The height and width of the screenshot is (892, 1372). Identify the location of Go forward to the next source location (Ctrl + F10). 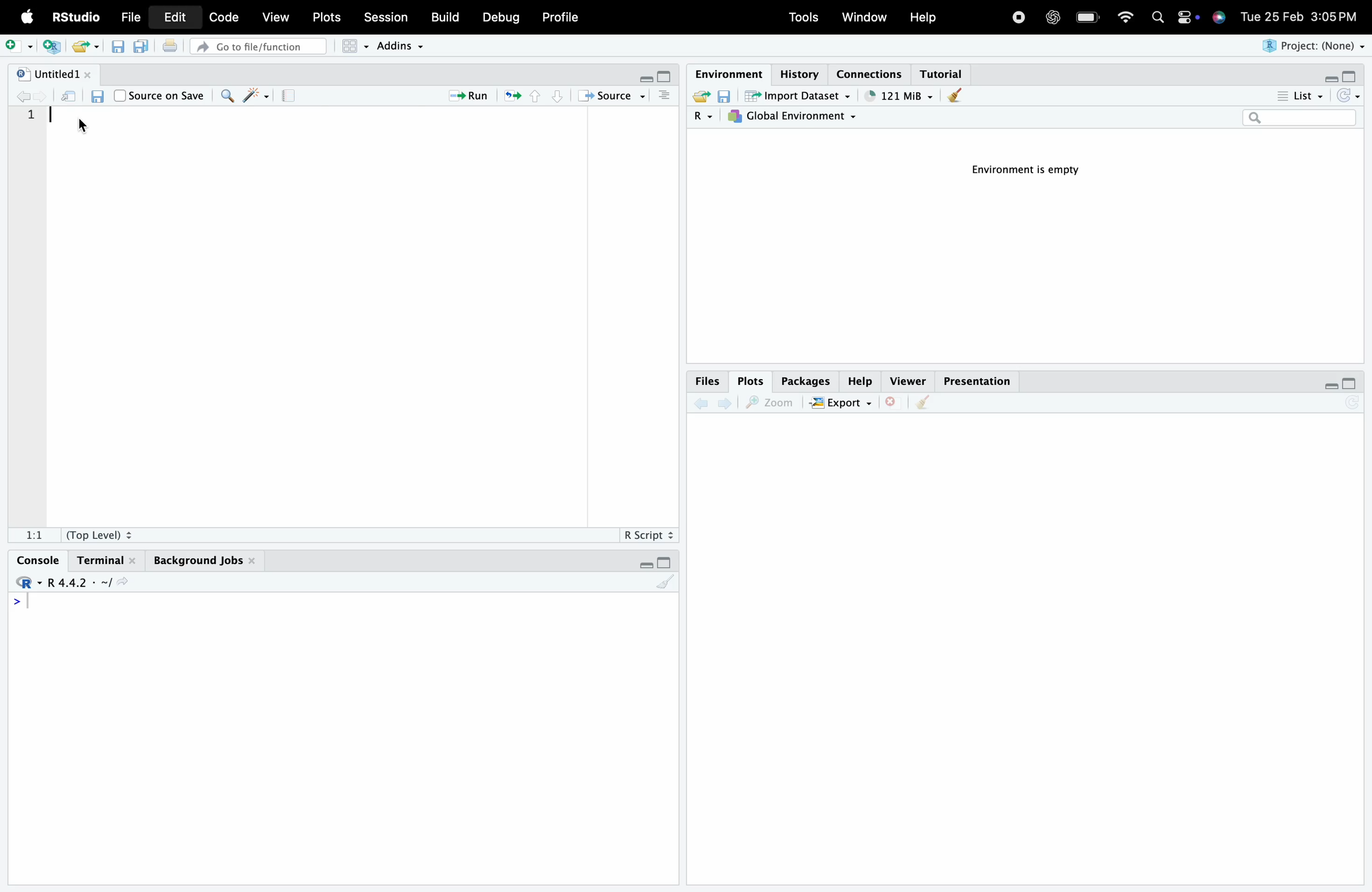
(726, 402).